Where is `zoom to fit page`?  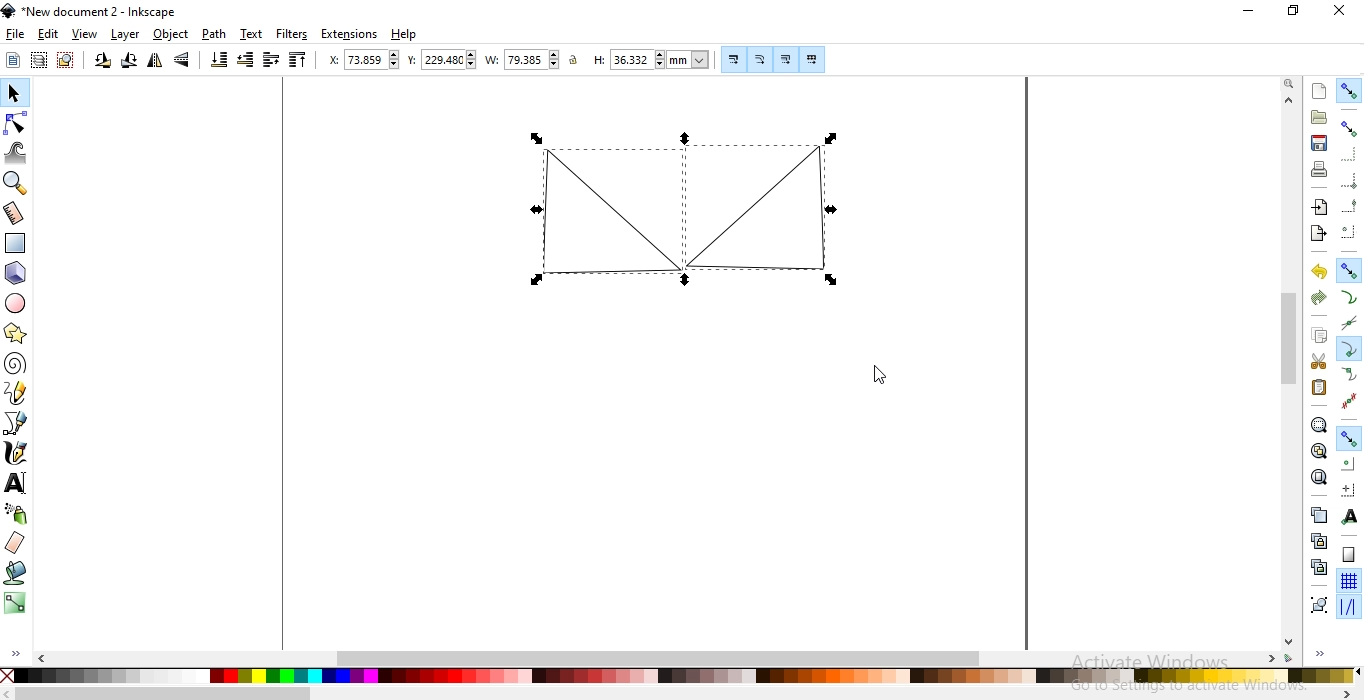
zoom to fit page is located at coordinates (1319, 477).